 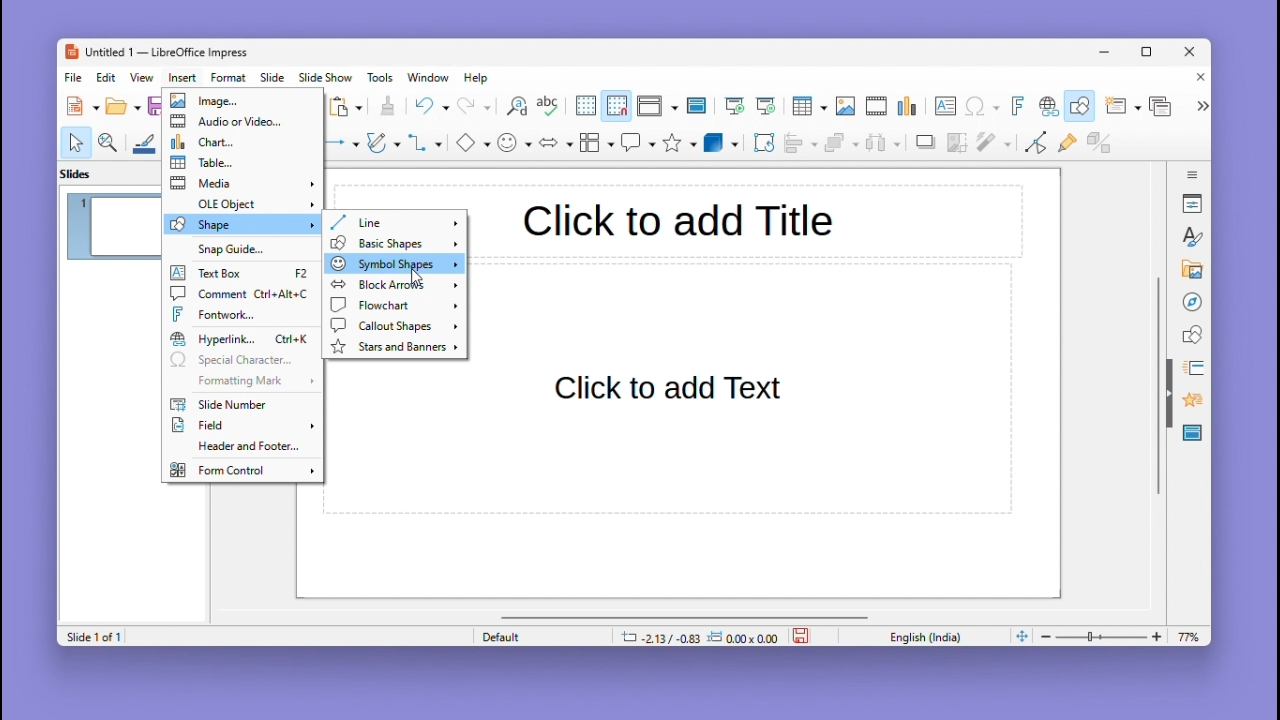 I want to click on Stars and banners, so click(x=394, y=347).